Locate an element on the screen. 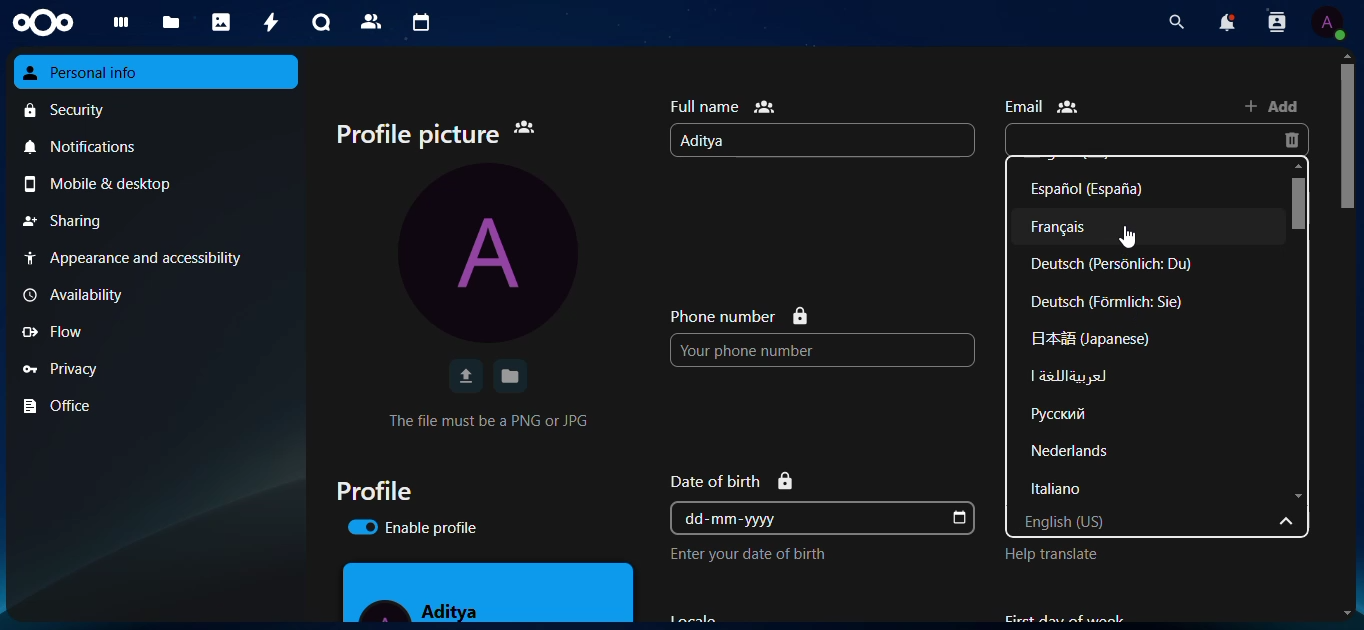  profile is located at coordinates (1328, 22).